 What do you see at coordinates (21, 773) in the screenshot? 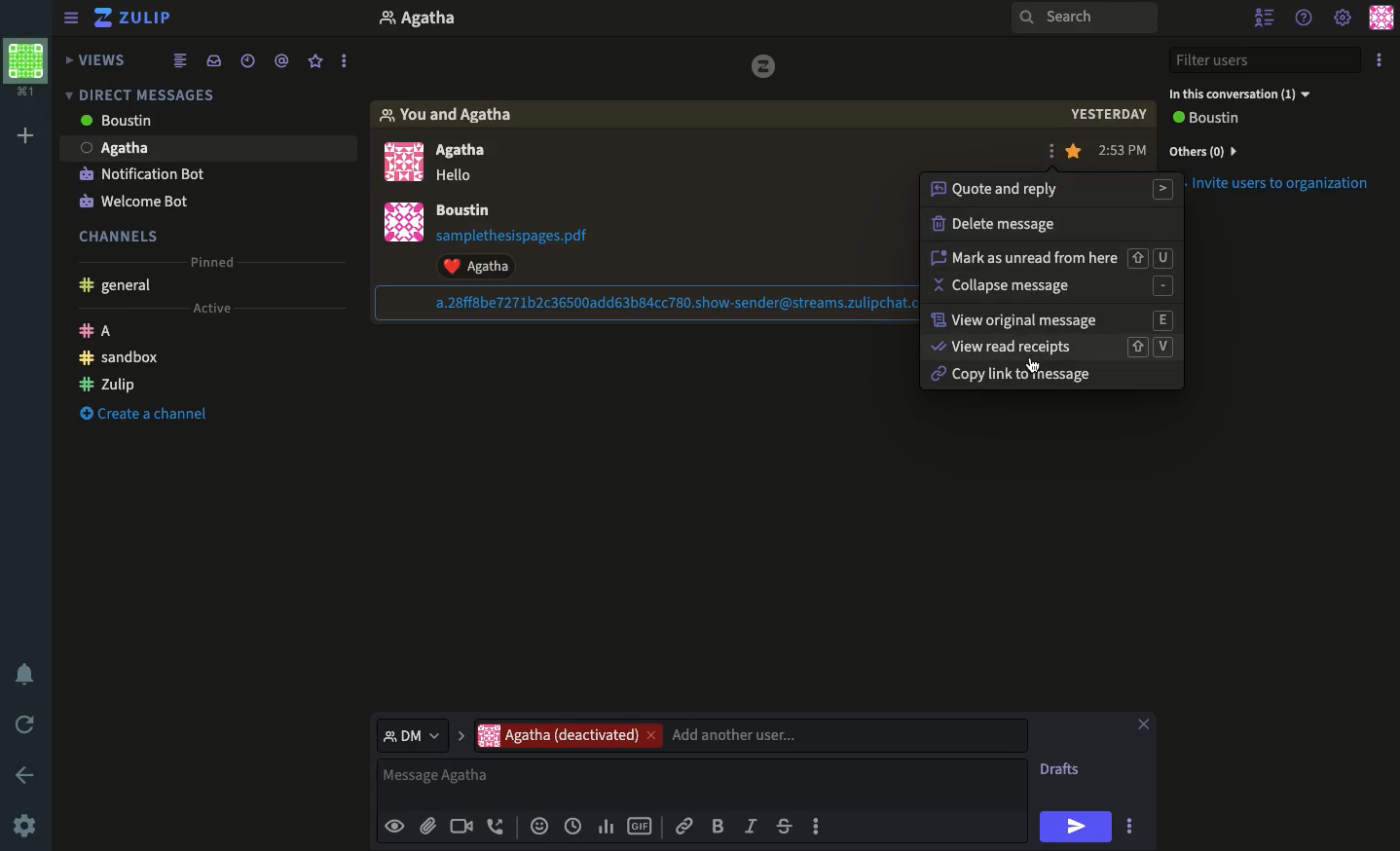
I see `Back` at bounding box center [21, 773].